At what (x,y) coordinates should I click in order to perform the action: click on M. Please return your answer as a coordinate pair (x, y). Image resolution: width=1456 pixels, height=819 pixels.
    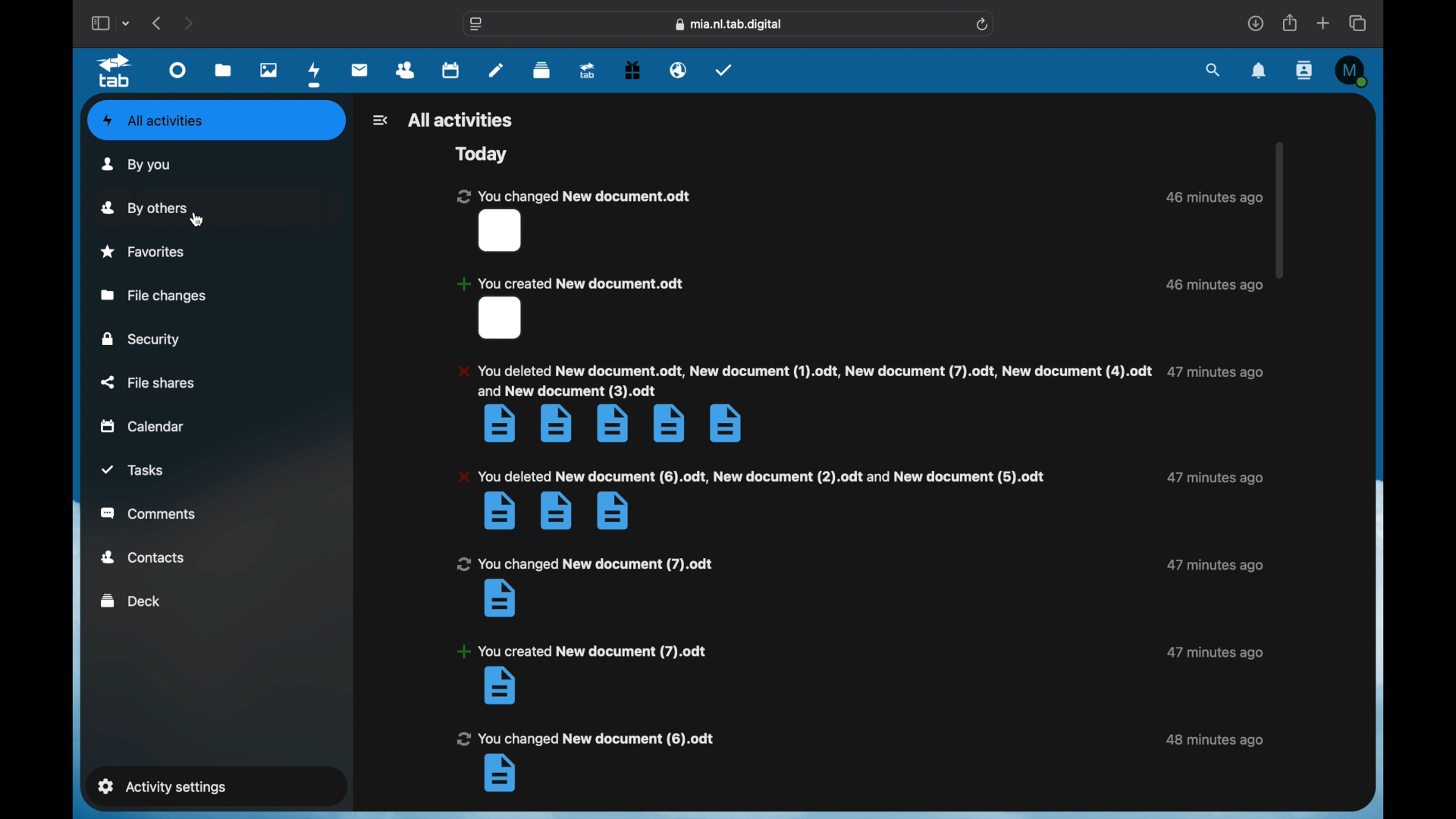
    Looking at the image, I should click on (1354, 71).